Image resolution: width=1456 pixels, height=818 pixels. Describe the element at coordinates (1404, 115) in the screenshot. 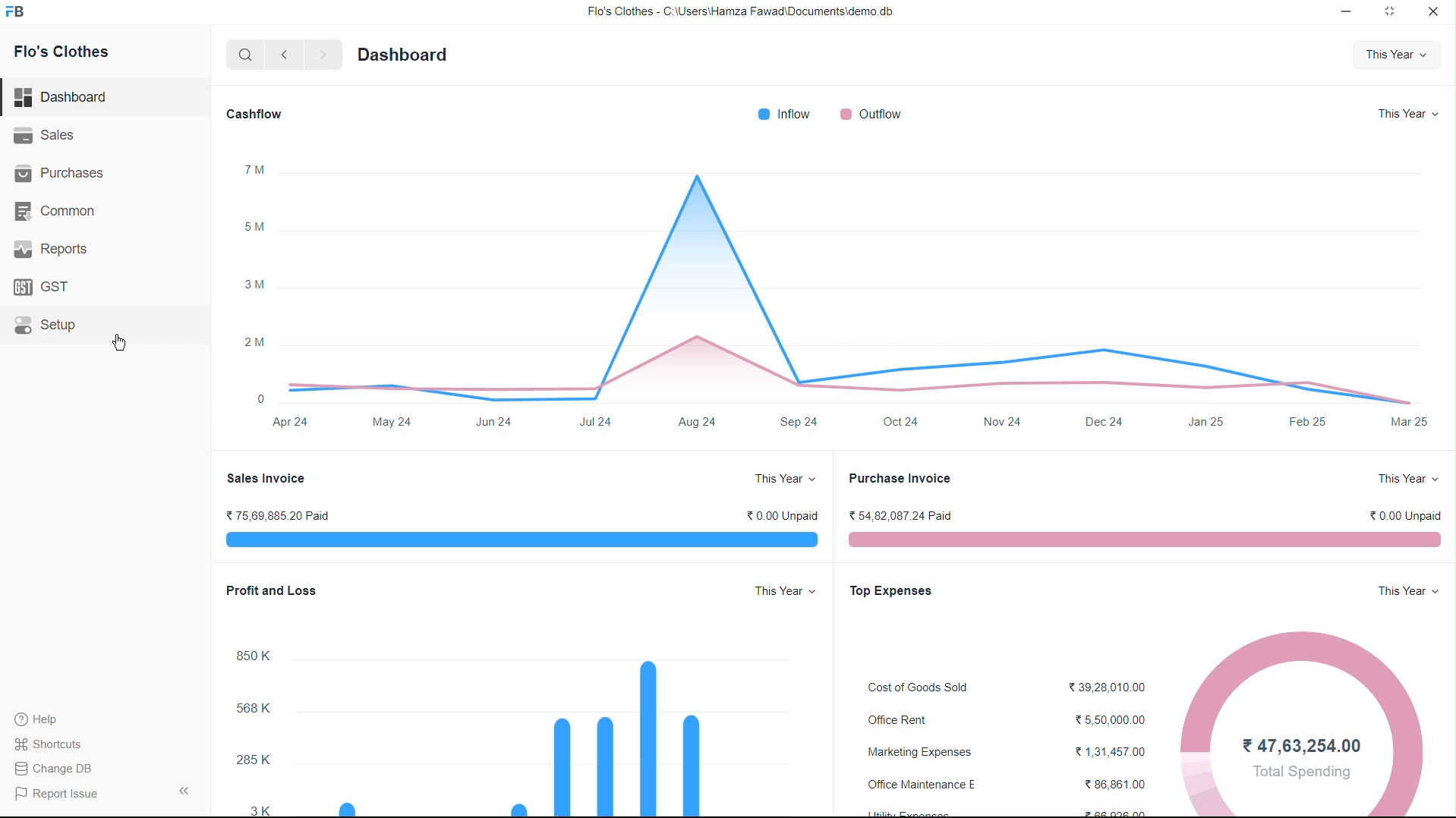

I see `This year` at that location.